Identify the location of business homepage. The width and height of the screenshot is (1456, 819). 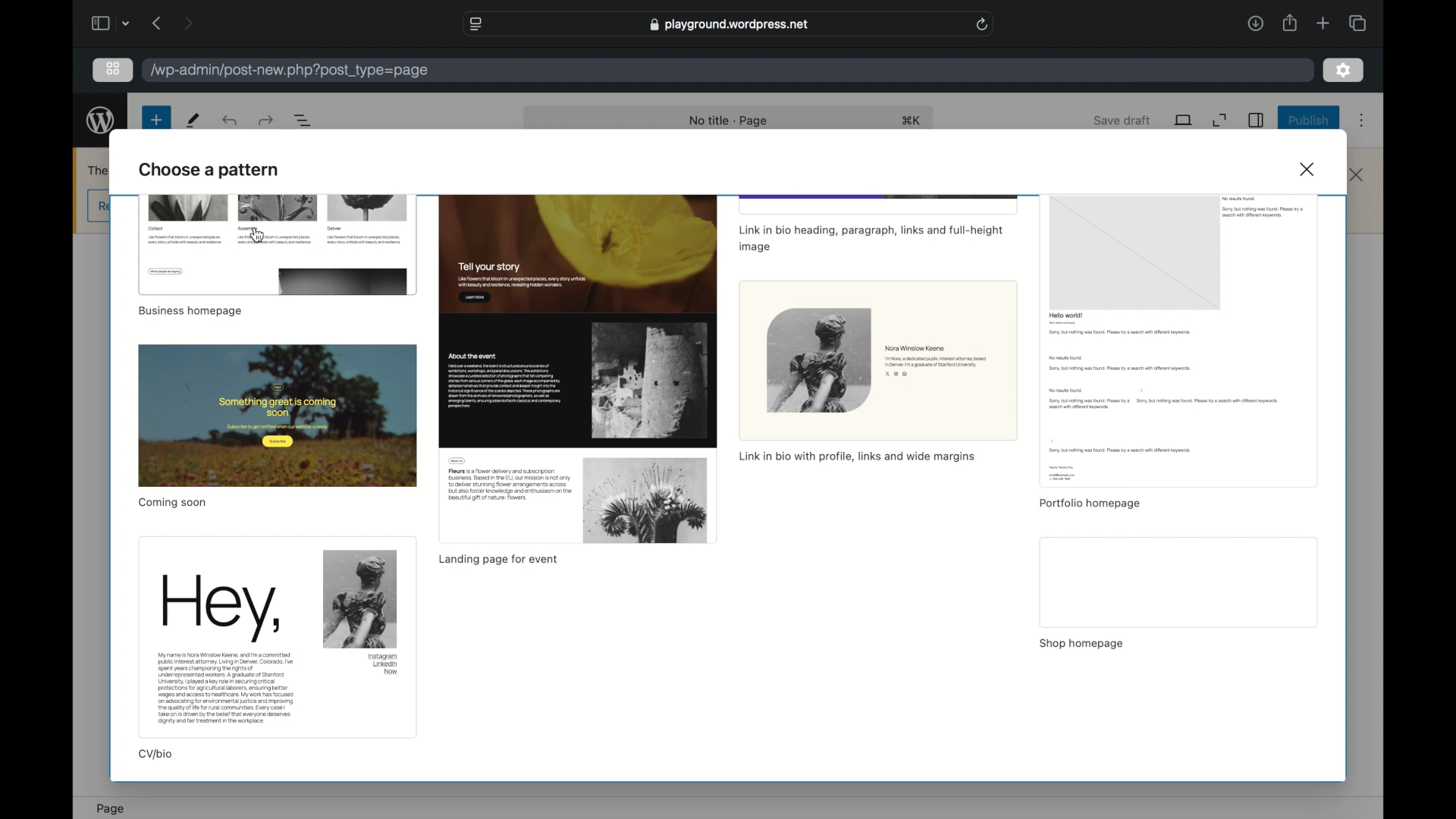
(190, 312).